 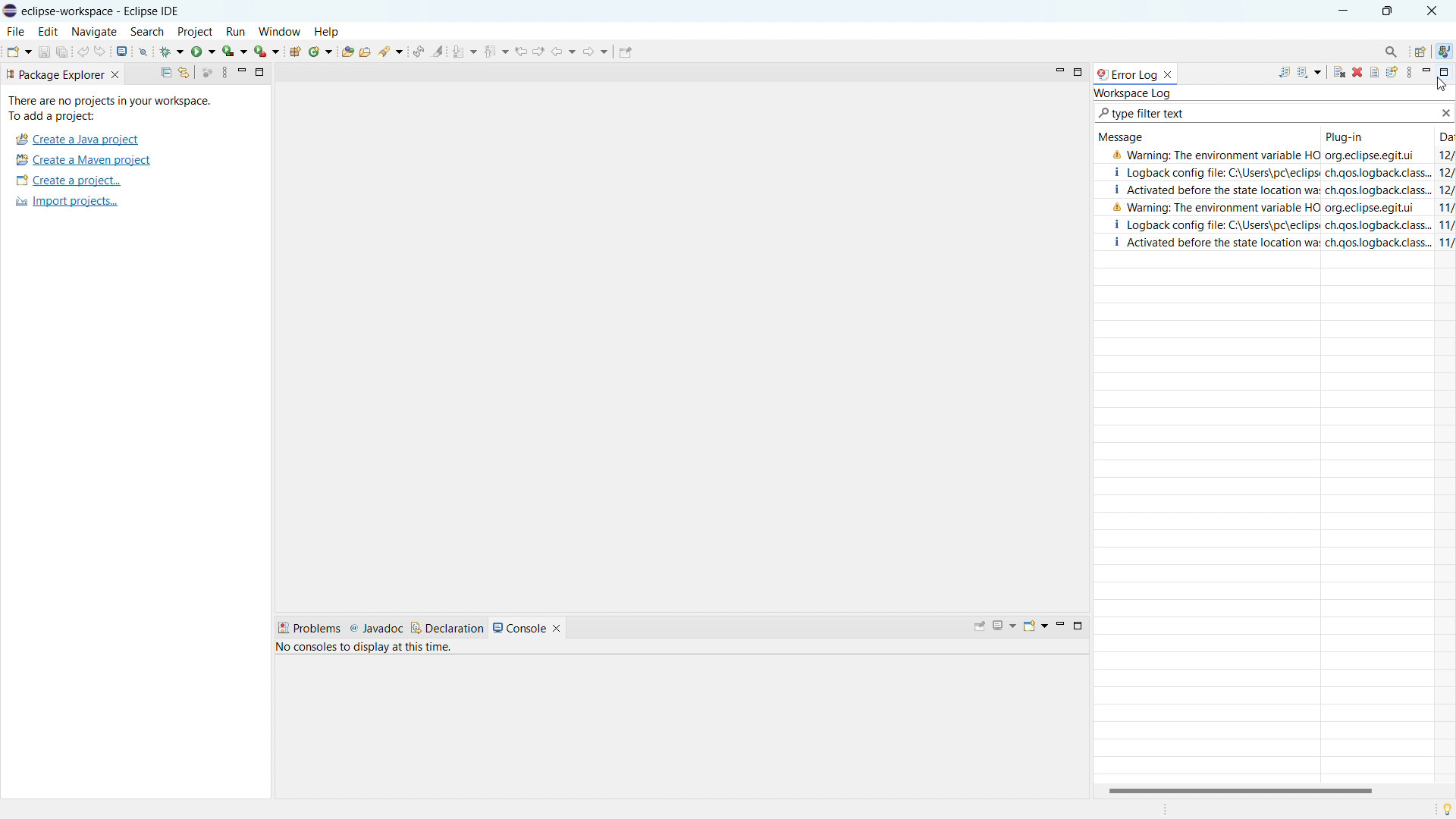 I want to click on run, so click(x=203, y=52).